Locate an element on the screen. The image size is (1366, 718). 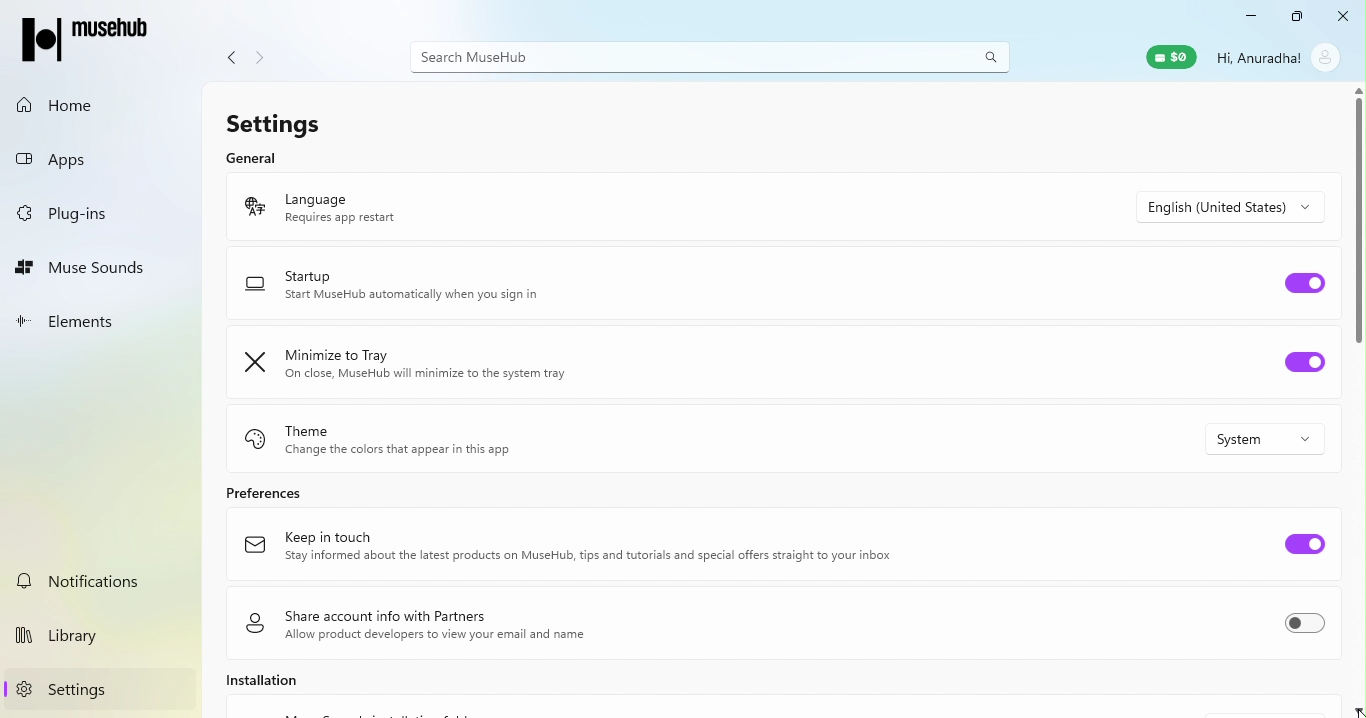
Theme is located at coordinates (461, 442).